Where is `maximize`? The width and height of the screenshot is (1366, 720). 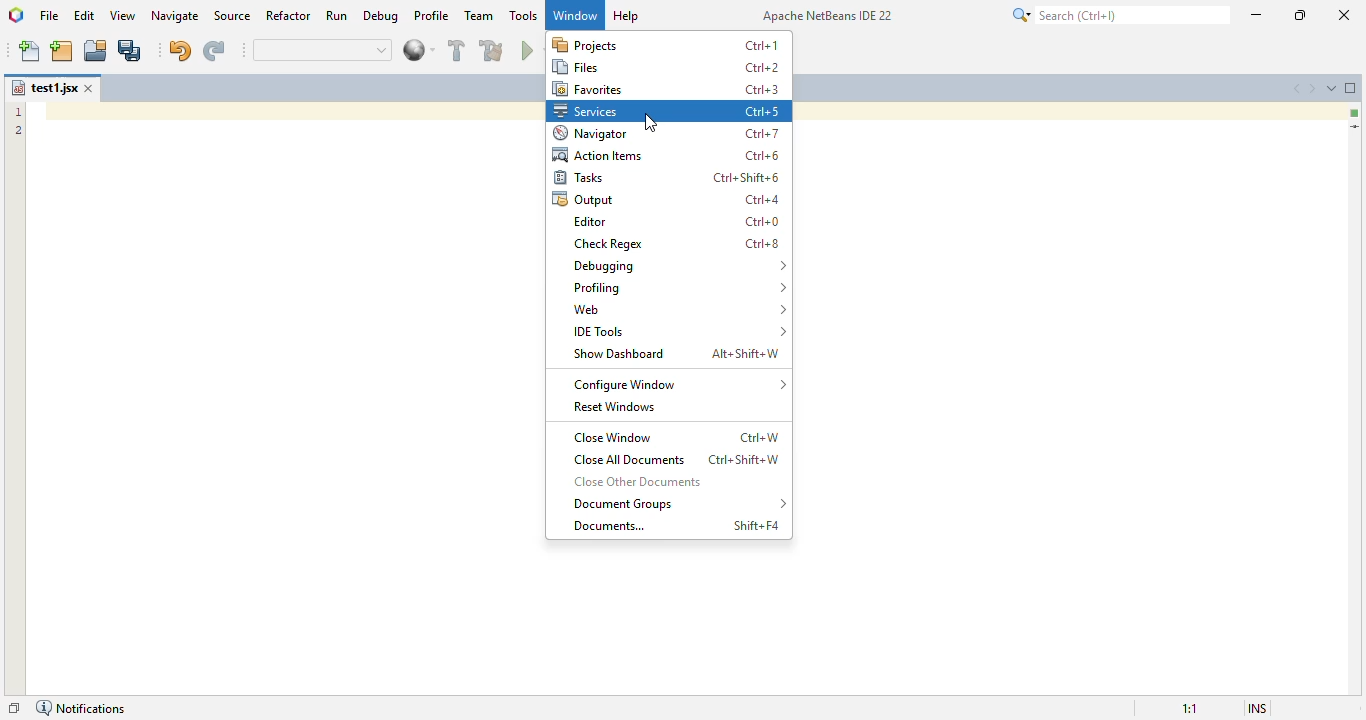
maximize is located at coordinates (1299, 15).